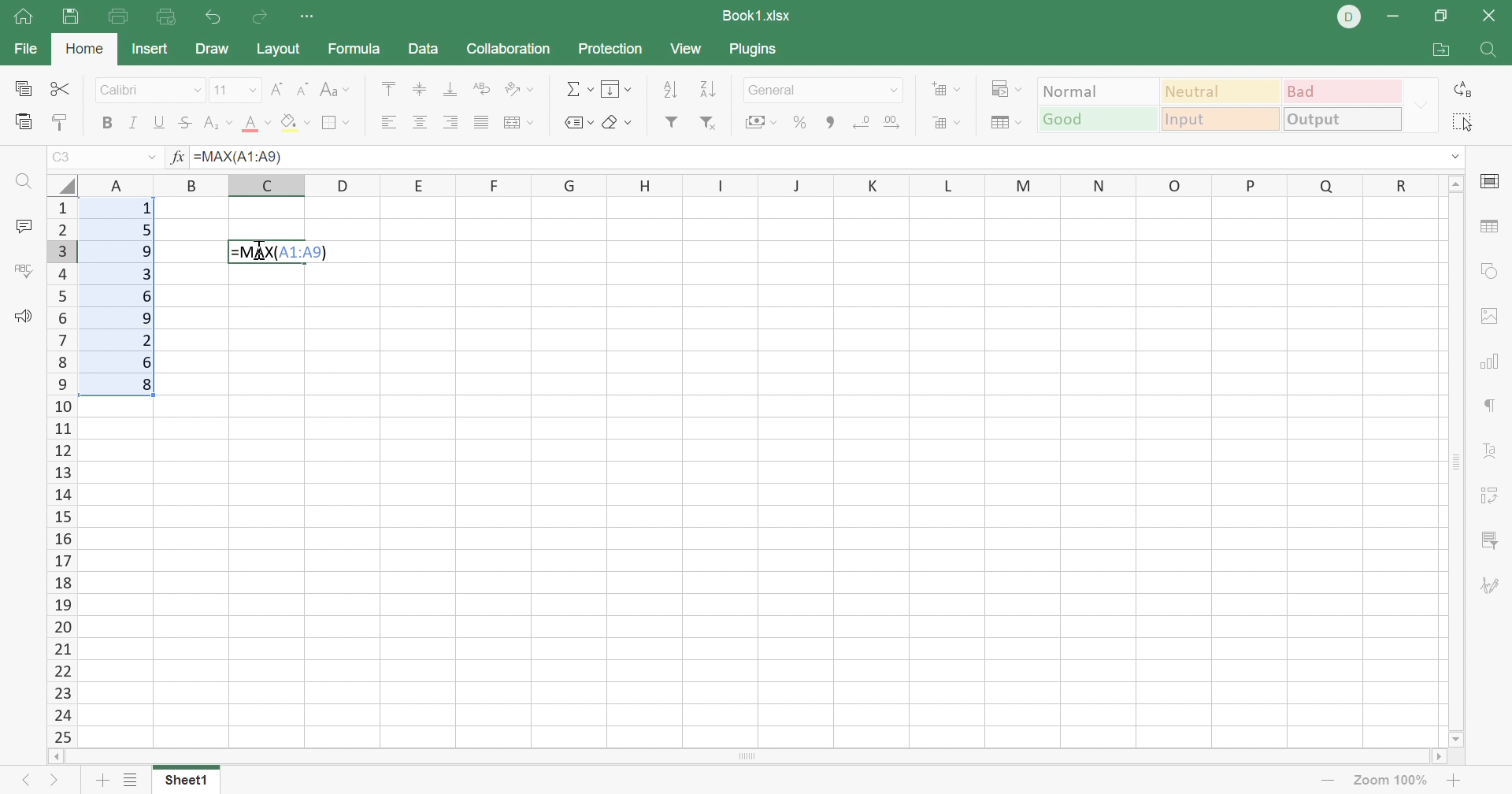  I want to click on Scroll Up, so click(1454, 184).